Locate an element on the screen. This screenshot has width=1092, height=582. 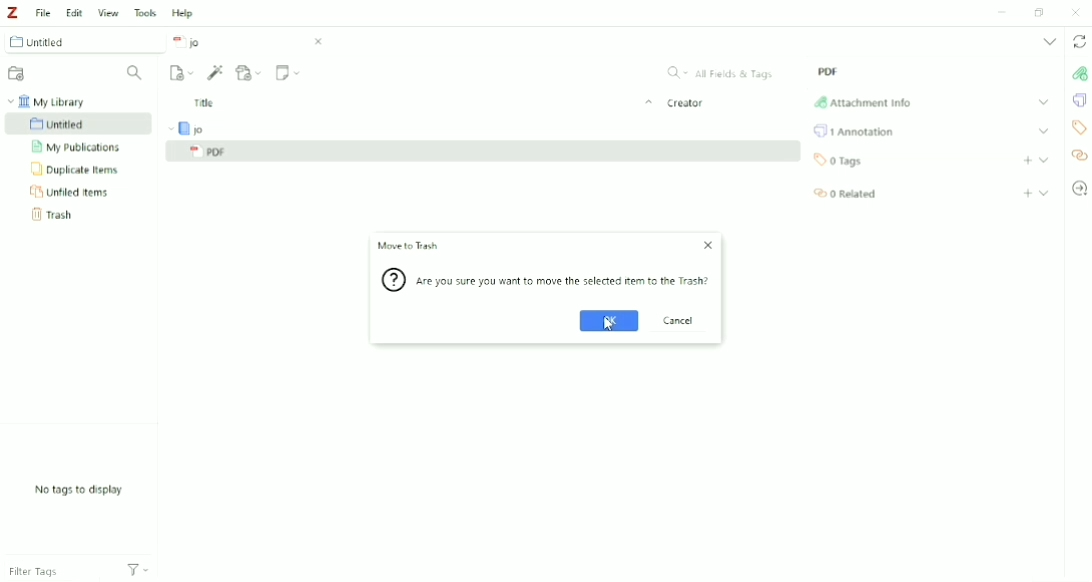
Annotation is located at coordinates (855, 130).